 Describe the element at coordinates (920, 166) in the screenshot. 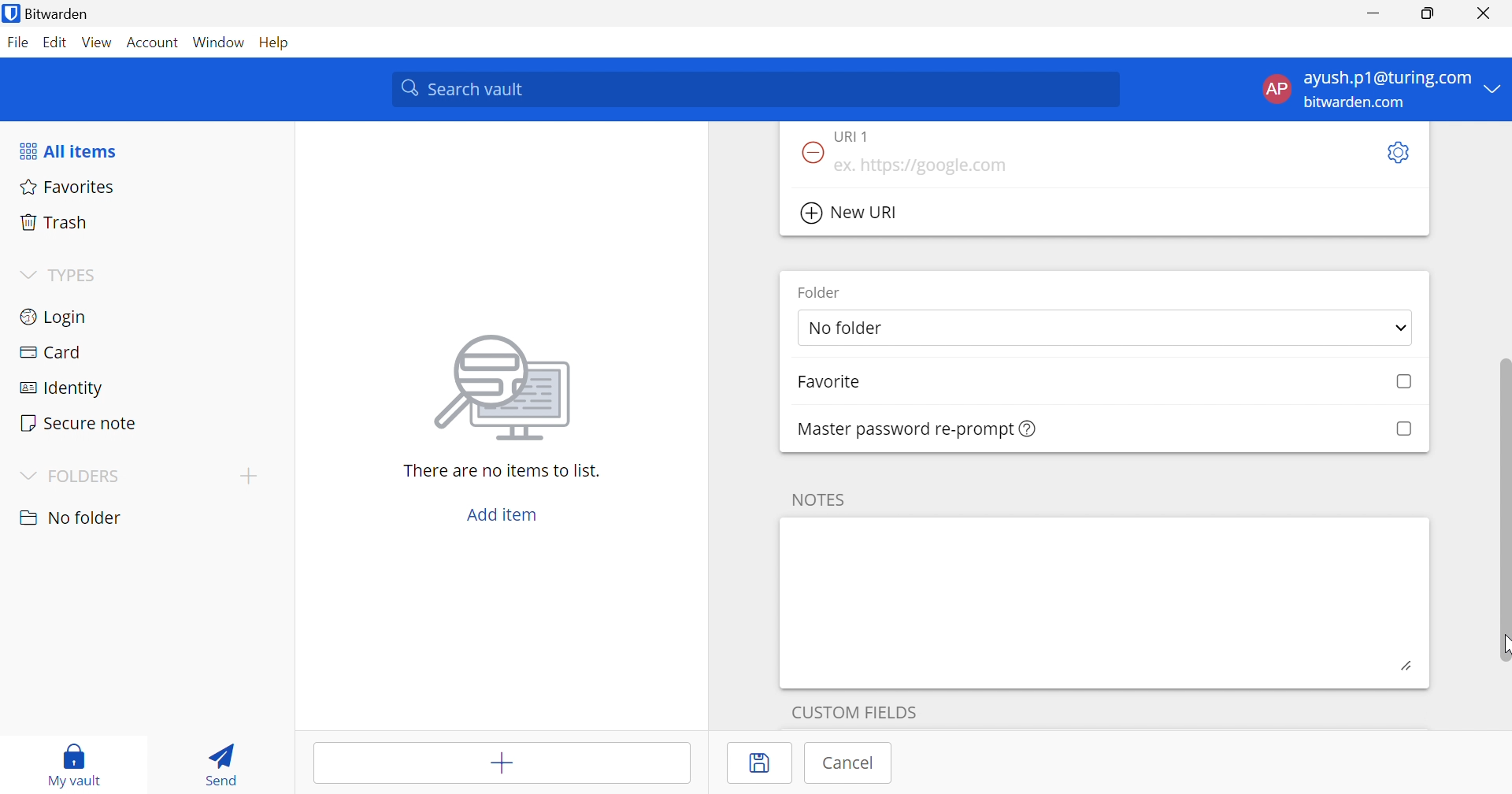

I see `ex. https://google.com` at that location.